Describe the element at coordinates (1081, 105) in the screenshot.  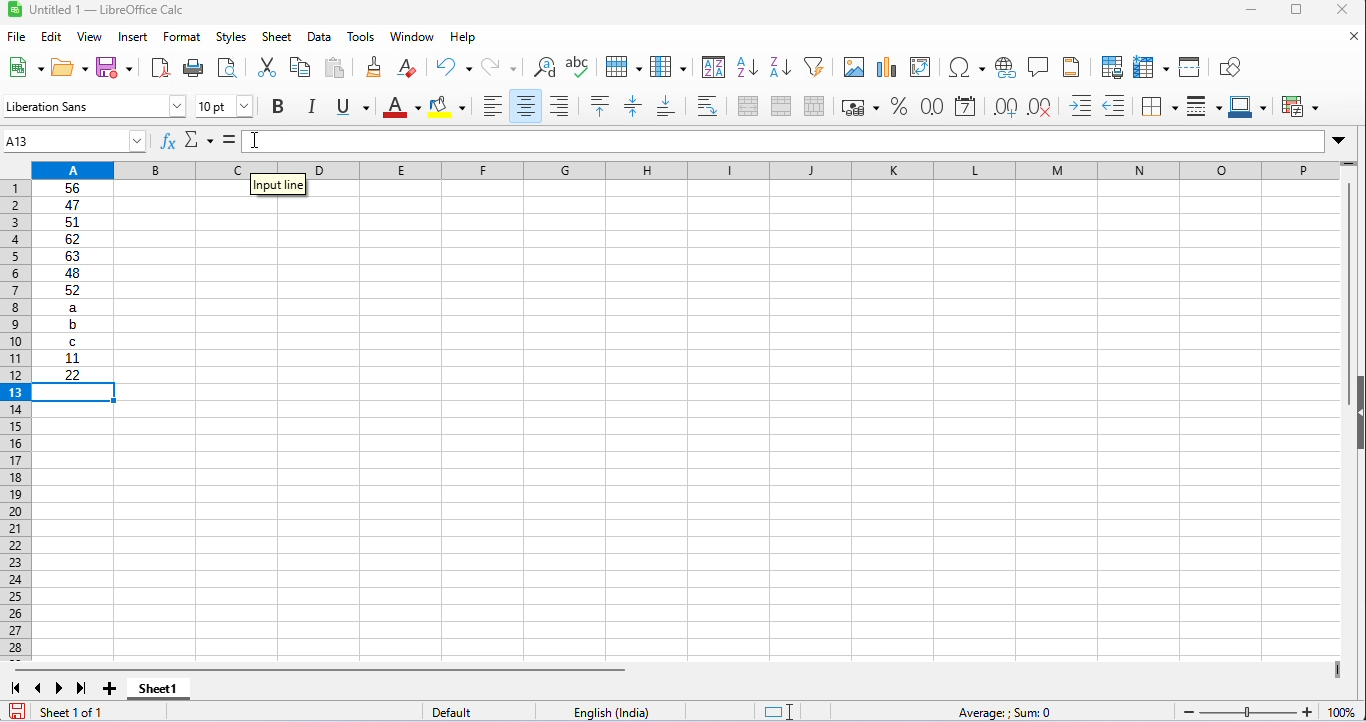
I see `increase indent` at that location.